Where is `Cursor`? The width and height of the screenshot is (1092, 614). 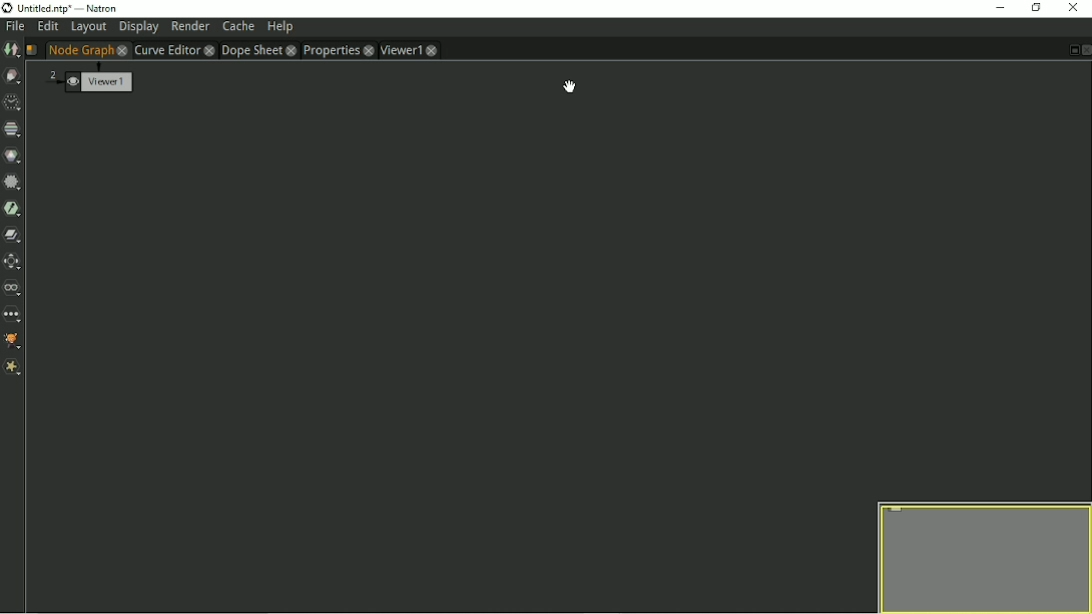
Cursor is located at coordinates (568, 86).